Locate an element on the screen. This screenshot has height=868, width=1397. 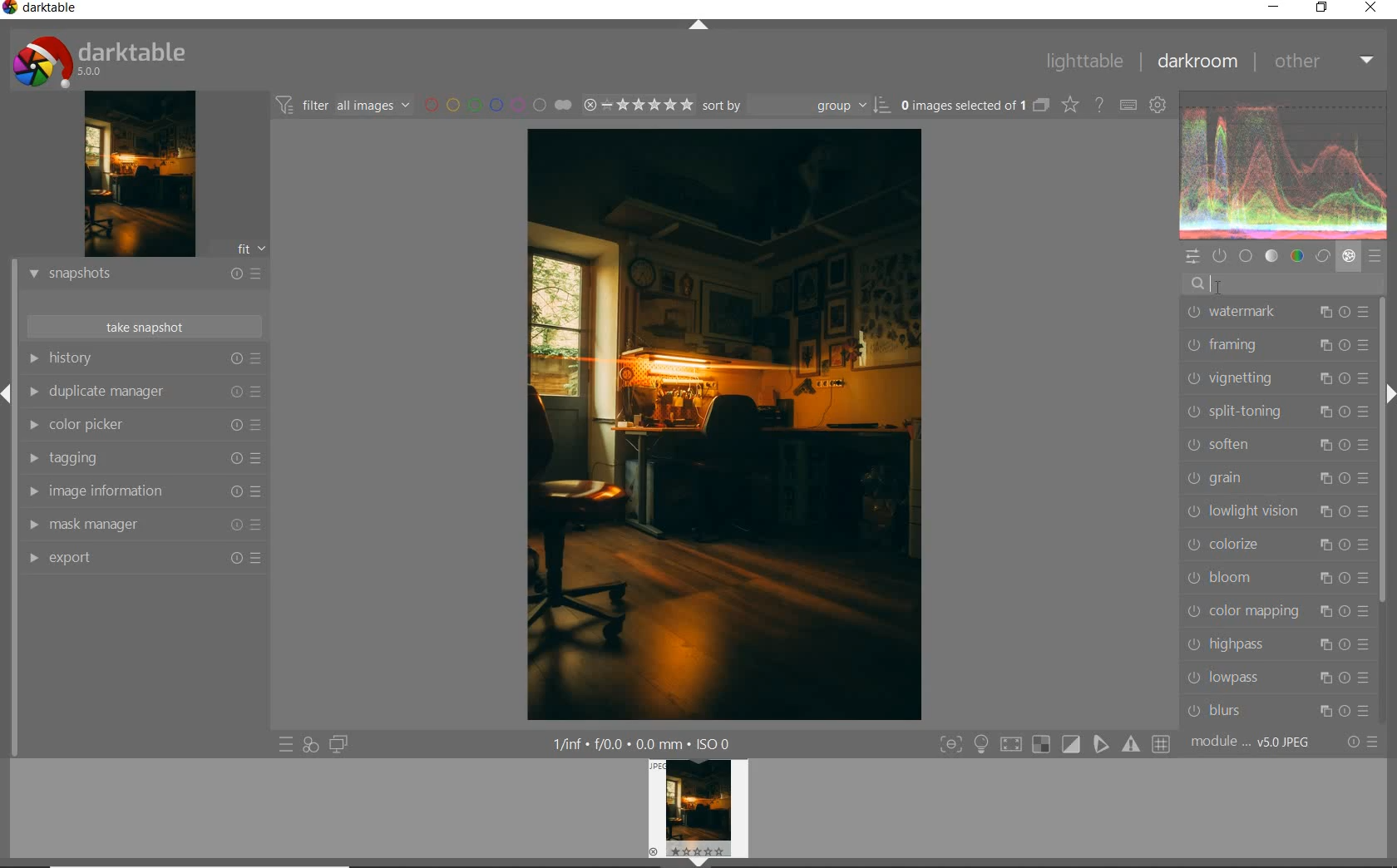
other is located at coordinates (1323, 62).